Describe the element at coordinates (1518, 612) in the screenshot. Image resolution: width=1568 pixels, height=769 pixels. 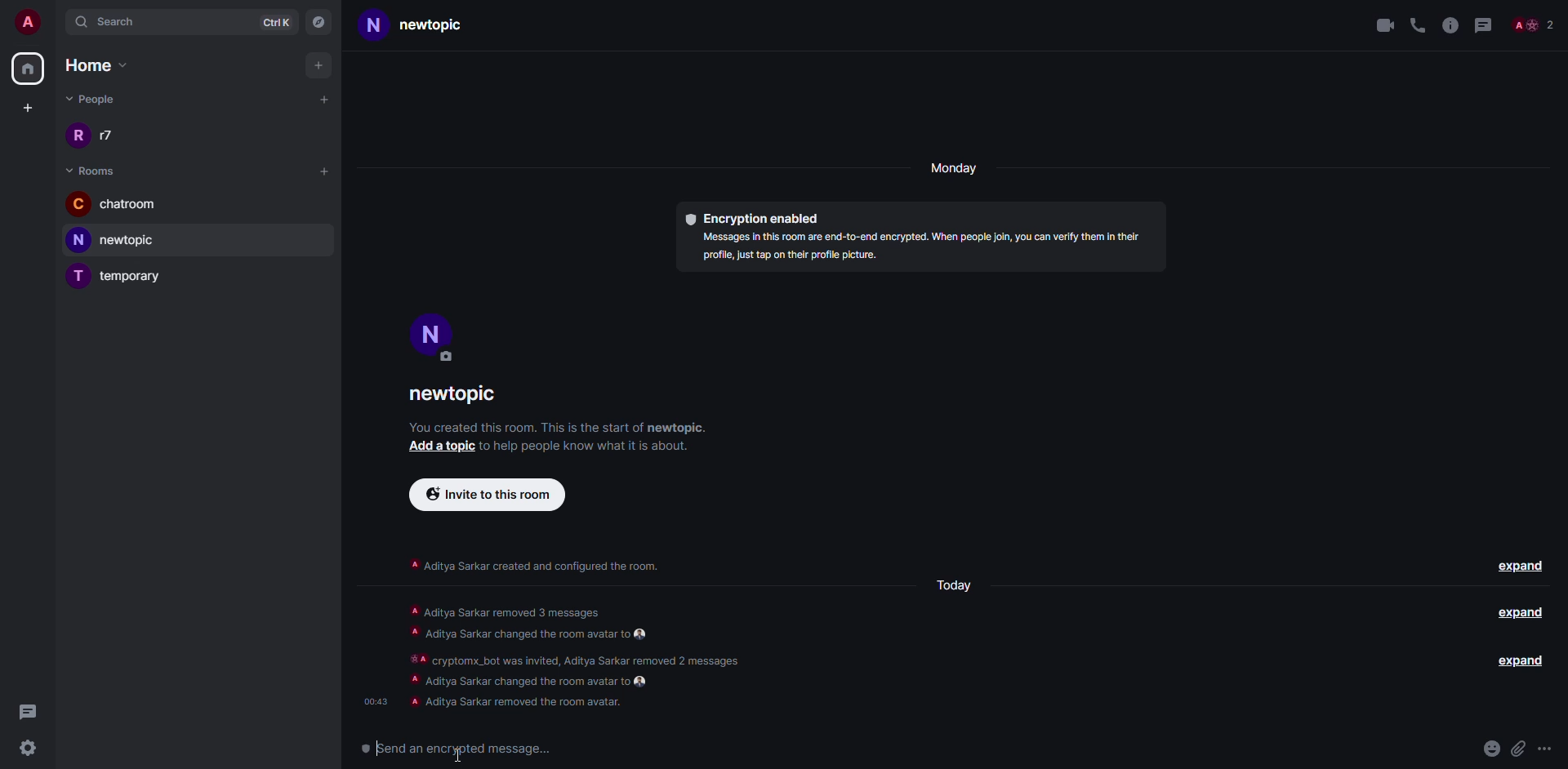
I see `expand` at that location.